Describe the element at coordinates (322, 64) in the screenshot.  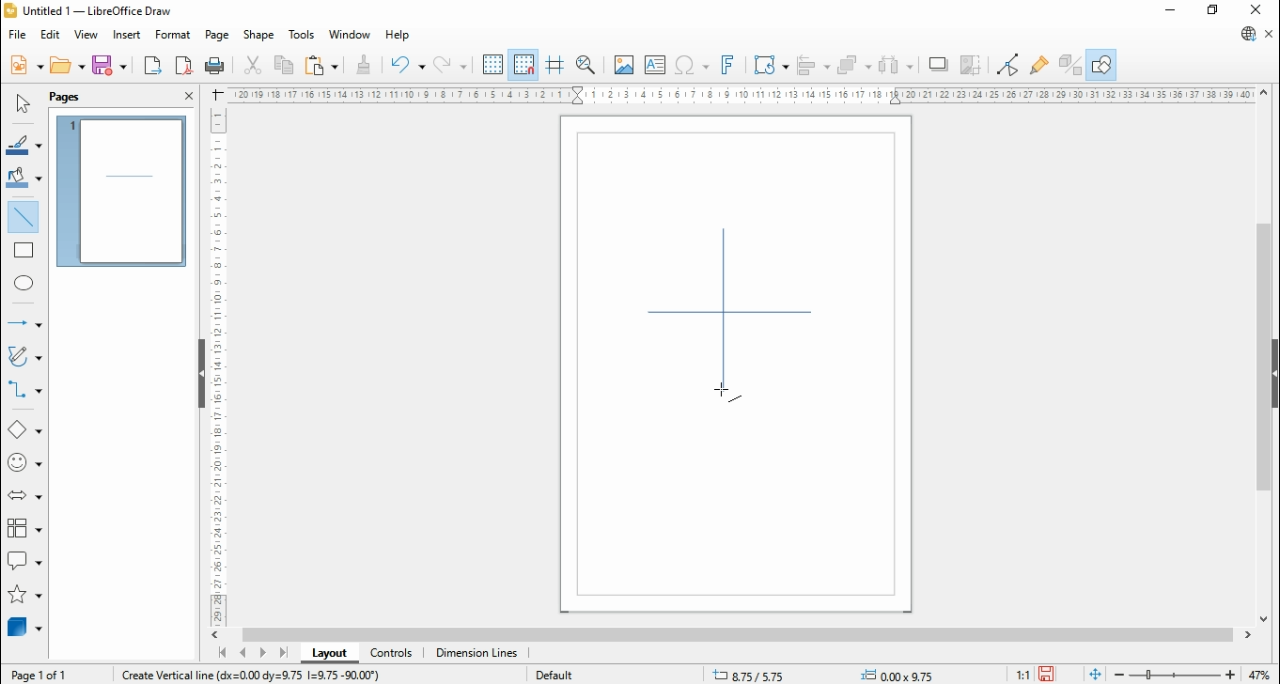
I see `paste` at that location.